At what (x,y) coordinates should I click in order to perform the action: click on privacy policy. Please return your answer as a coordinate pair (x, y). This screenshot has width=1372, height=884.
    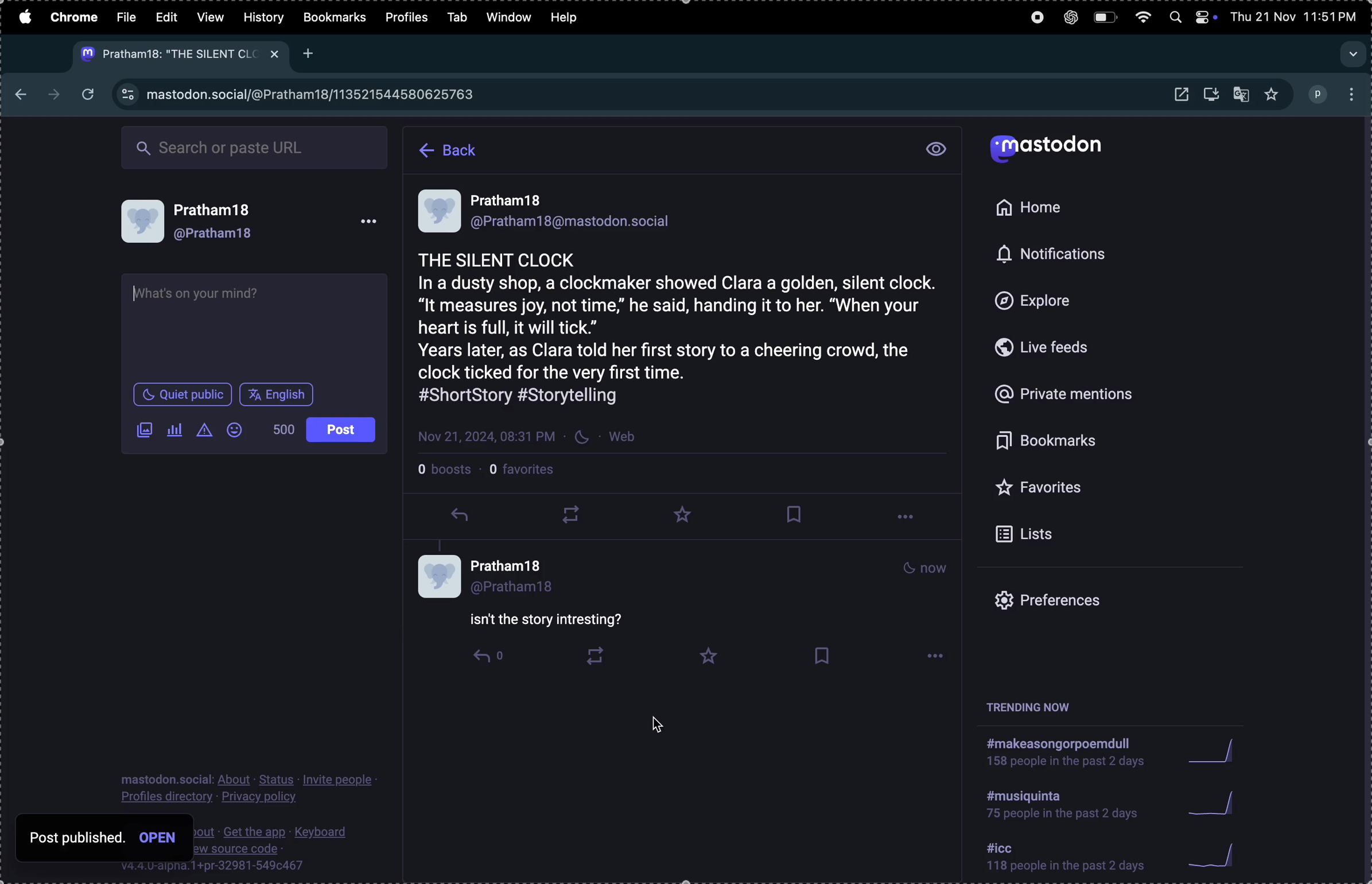
    Looking at the image, I should click on (254, 787).